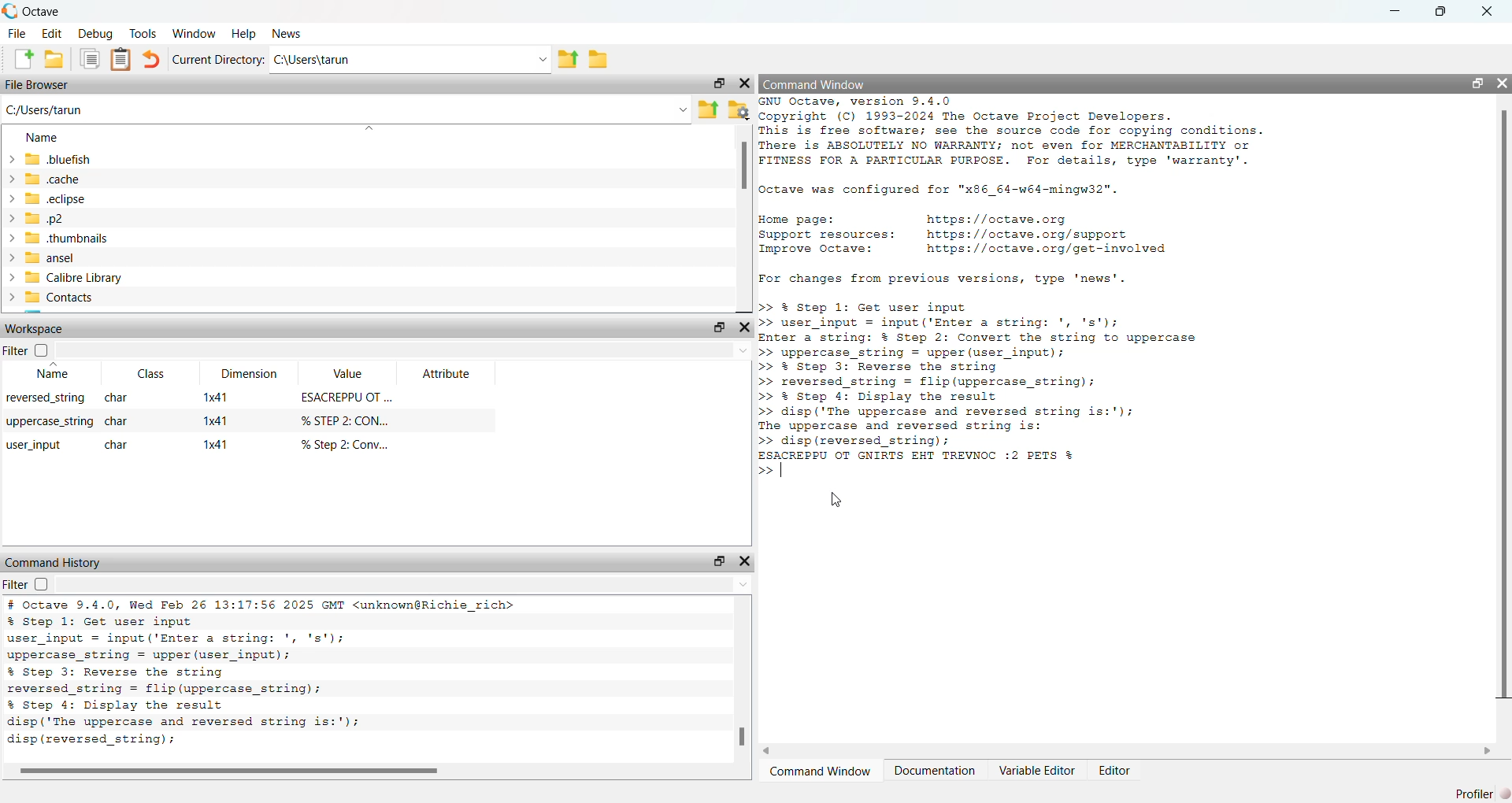 Image resolution: width=1512 pixels, height=803 pixels. Describe the element at coordinates (124, 240) in the screenshot. I see `.thumbnails` at that location.